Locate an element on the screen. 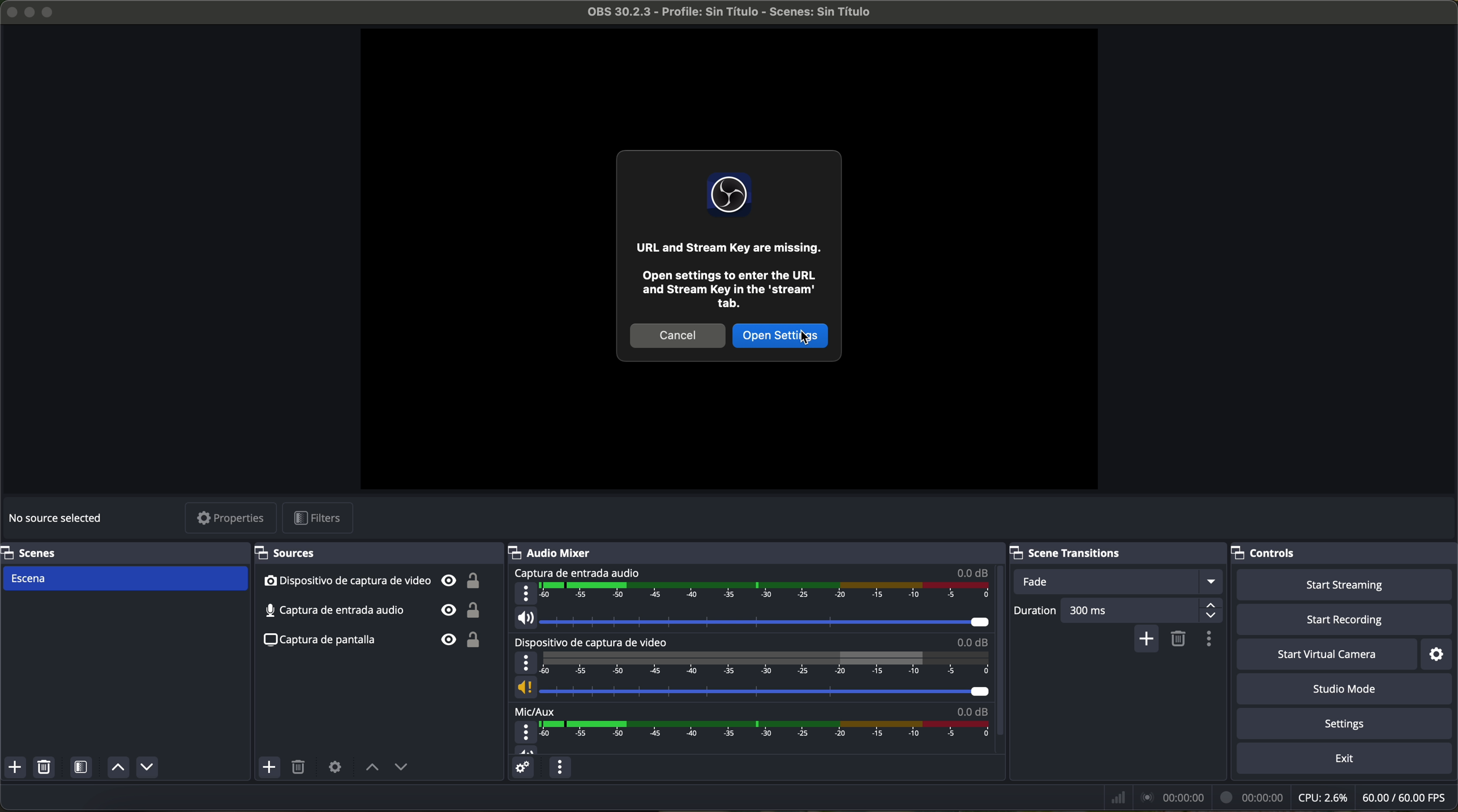 This screenshot has width=1458, height=812. audio input capture is located at coordinates (375, 609).